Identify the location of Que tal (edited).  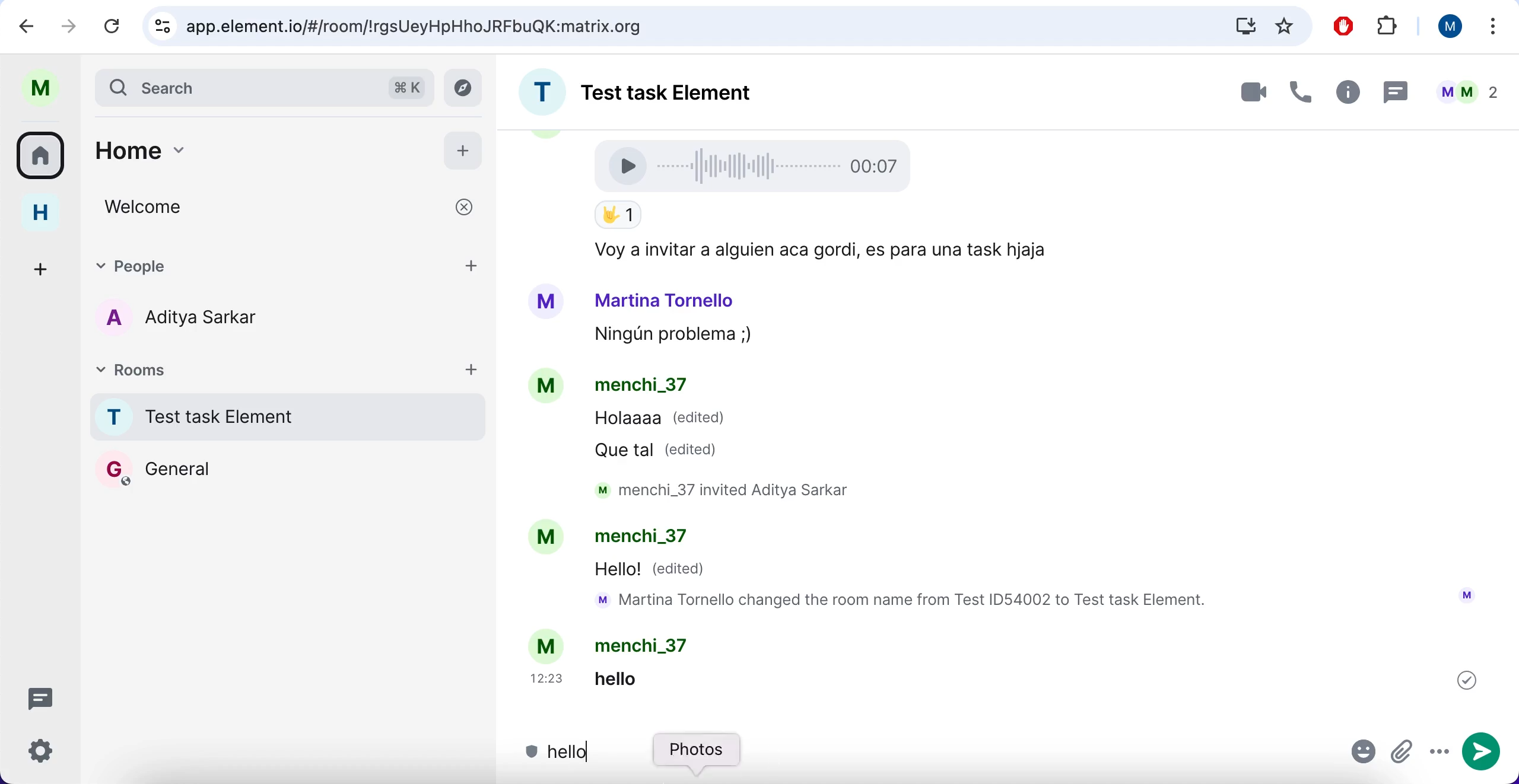
(662, 450).